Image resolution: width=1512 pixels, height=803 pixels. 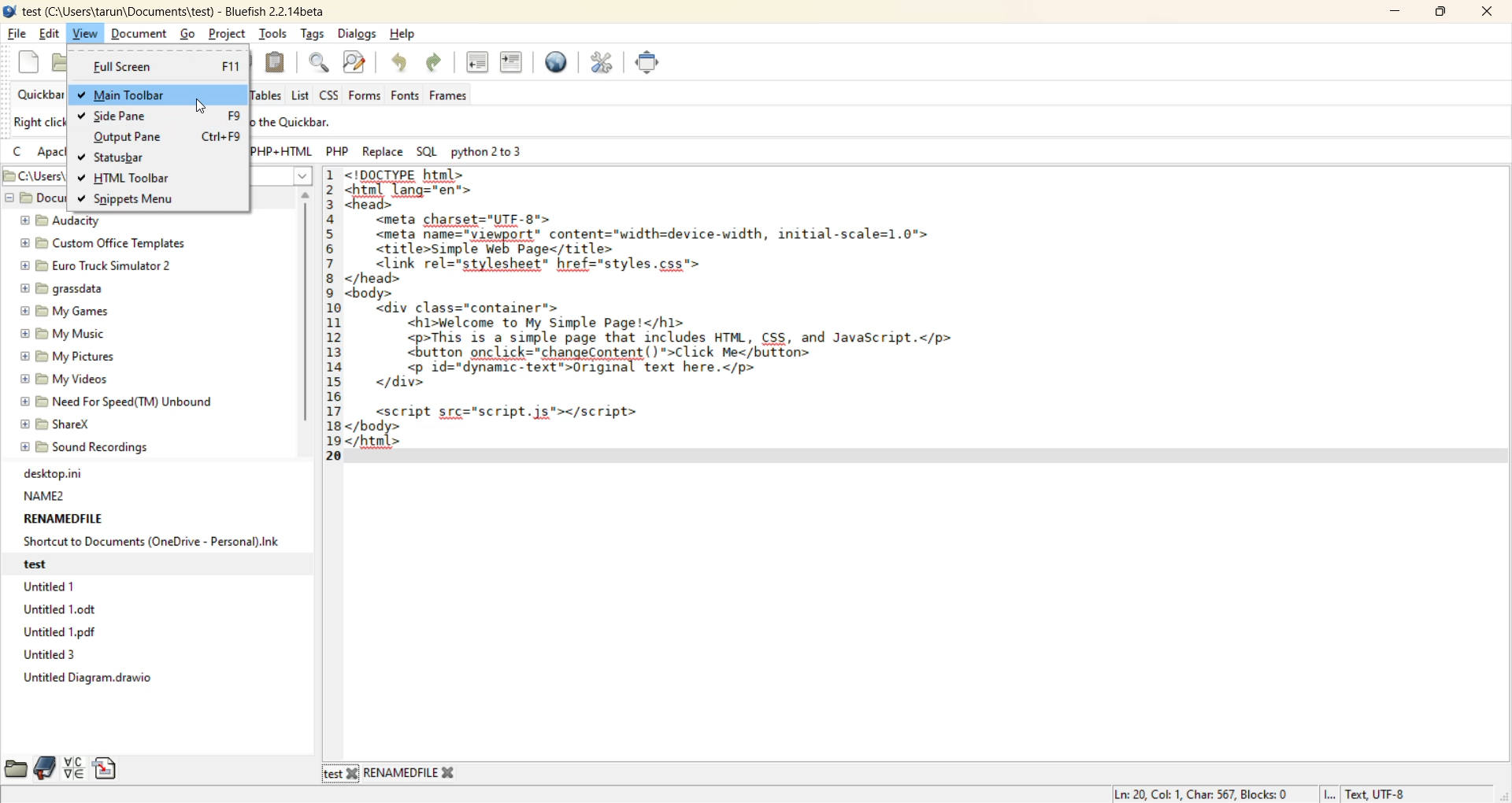 I want to click on python 2 to 3, so click(x=496, y=151).